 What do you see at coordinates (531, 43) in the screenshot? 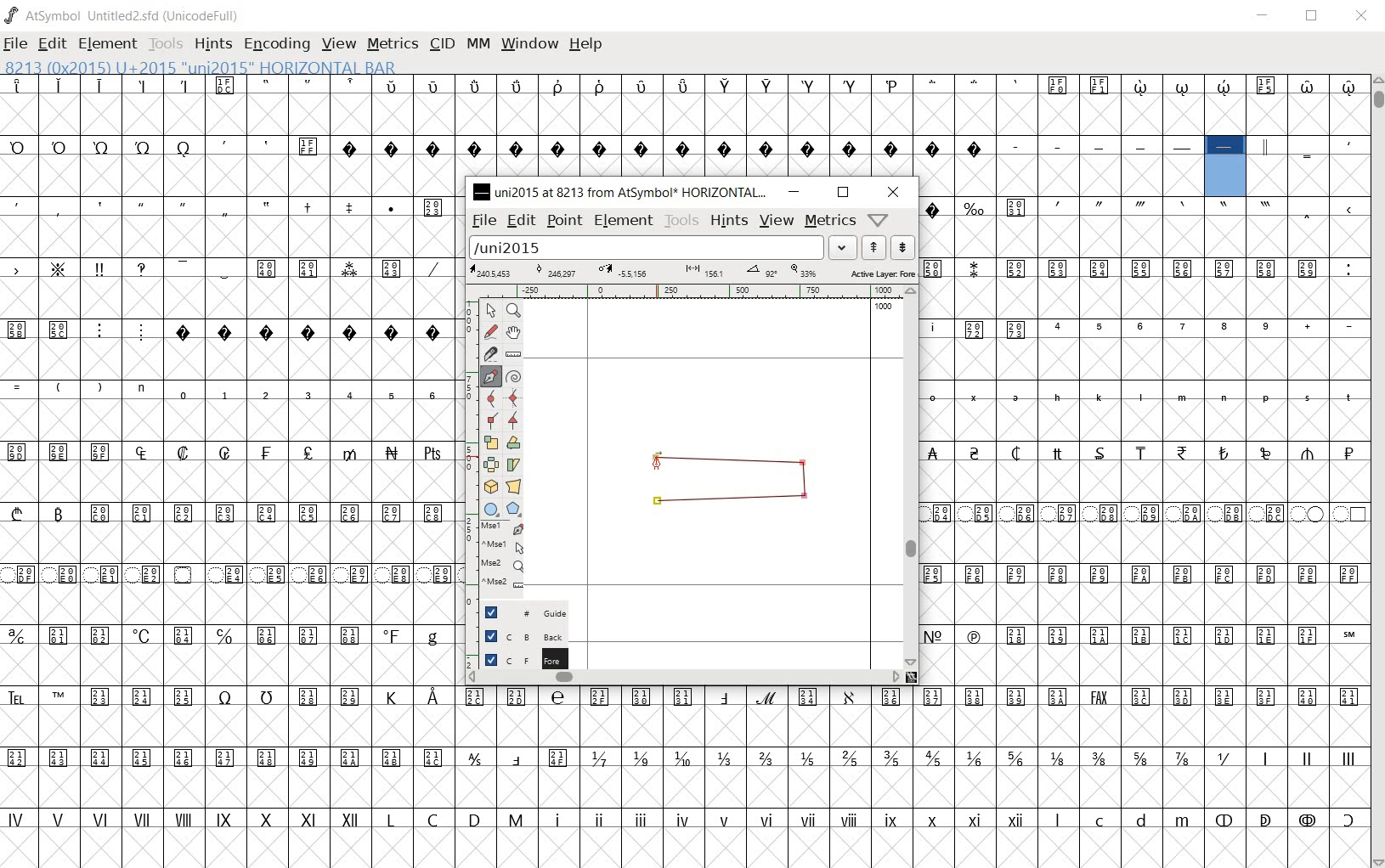
I see `WINDOW` at bounding box center [531, 43].